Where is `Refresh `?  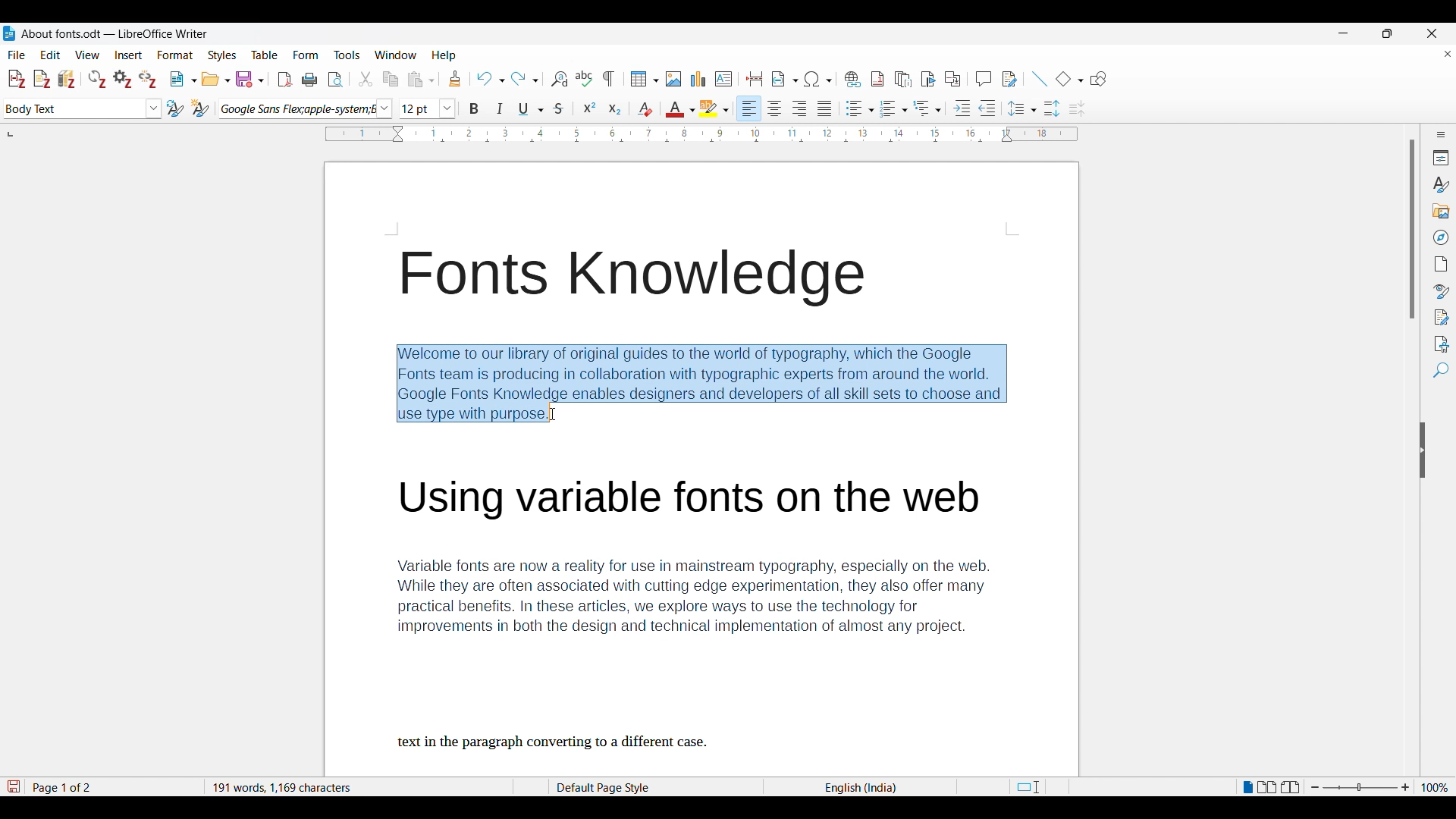
Refresh  is located at coordinates (97, 79).